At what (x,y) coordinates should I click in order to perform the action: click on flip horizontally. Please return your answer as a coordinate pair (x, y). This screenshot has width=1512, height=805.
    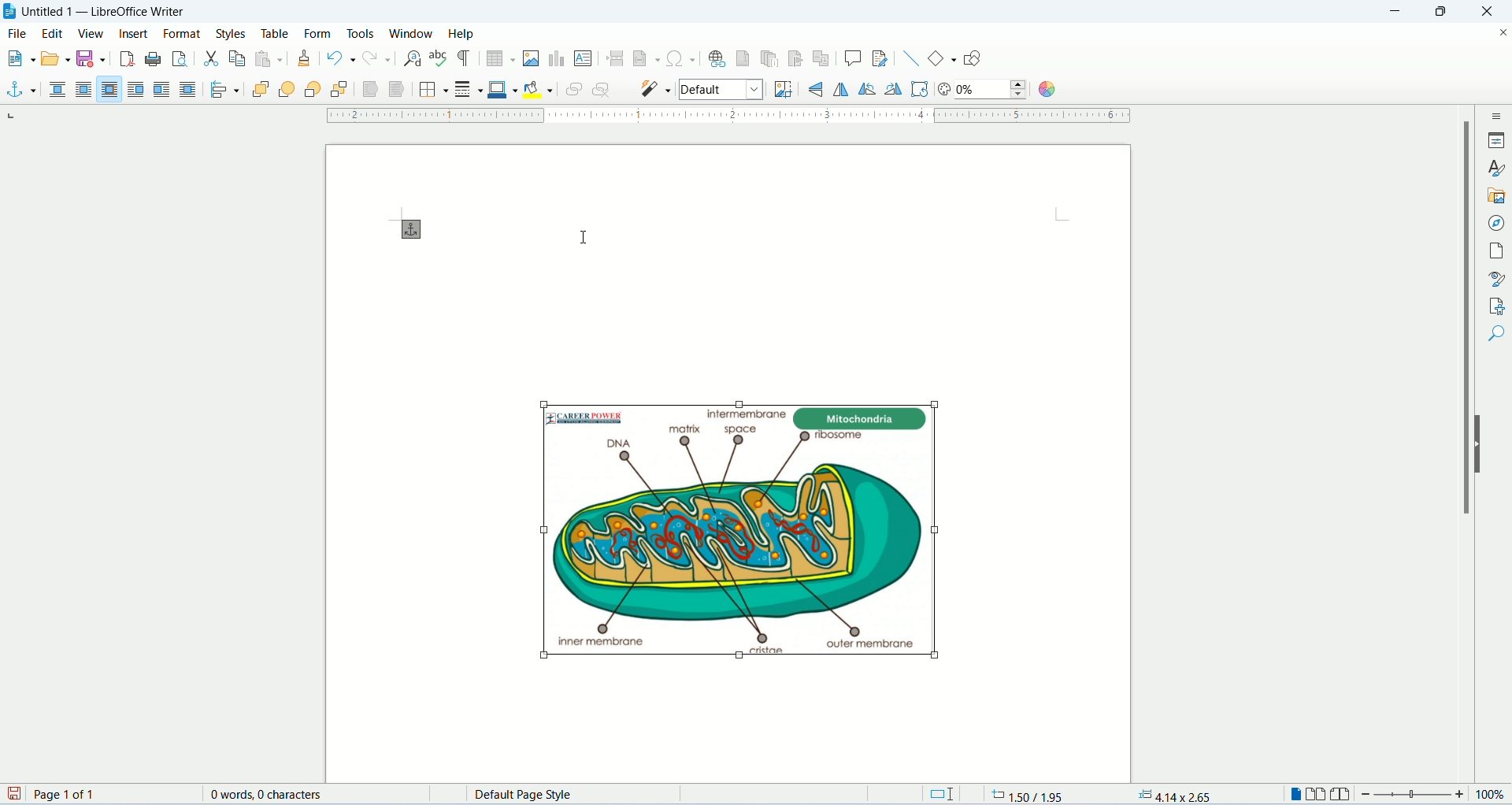
    Looking at the image, I should click on (821, 88).